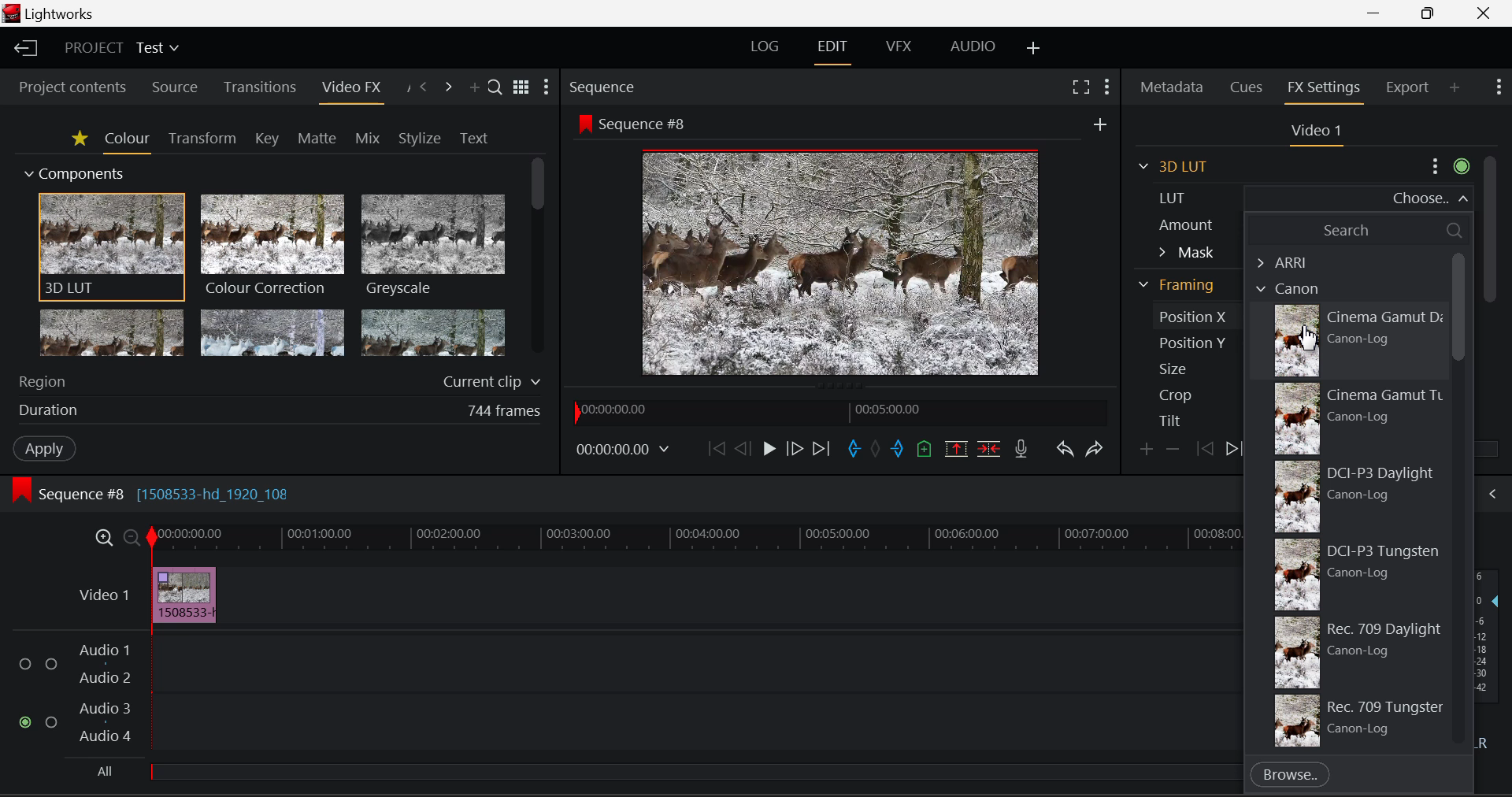 This screenshot has width=1512, height=797. Describe the element at coordinates (535, 259) in the screenshot. I see `Scroll Bar` at that location.